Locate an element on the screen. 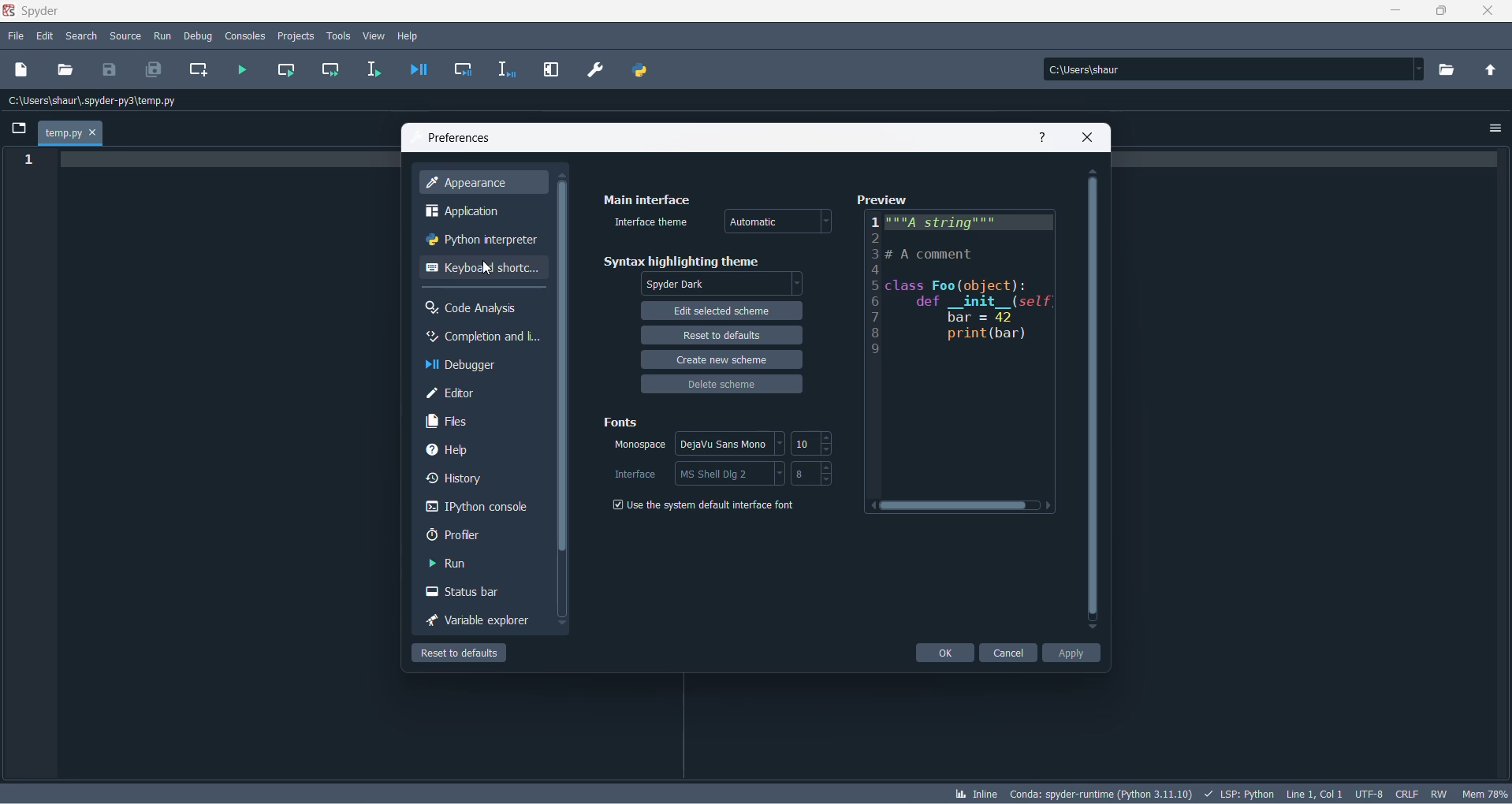  spyder application name is located at coordinates (34, 12).